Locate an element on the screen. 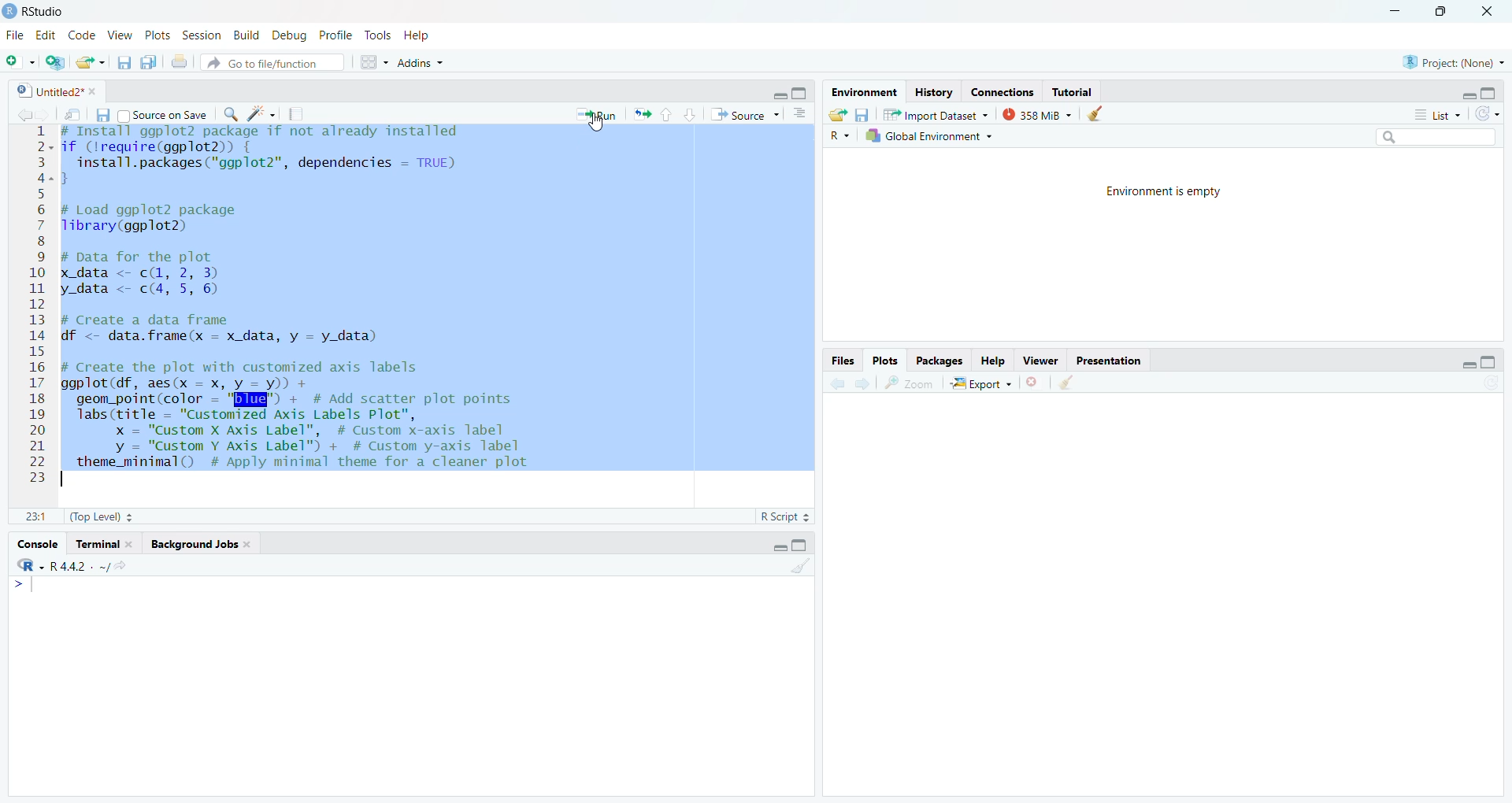  options is located at coordinates (799, 115).